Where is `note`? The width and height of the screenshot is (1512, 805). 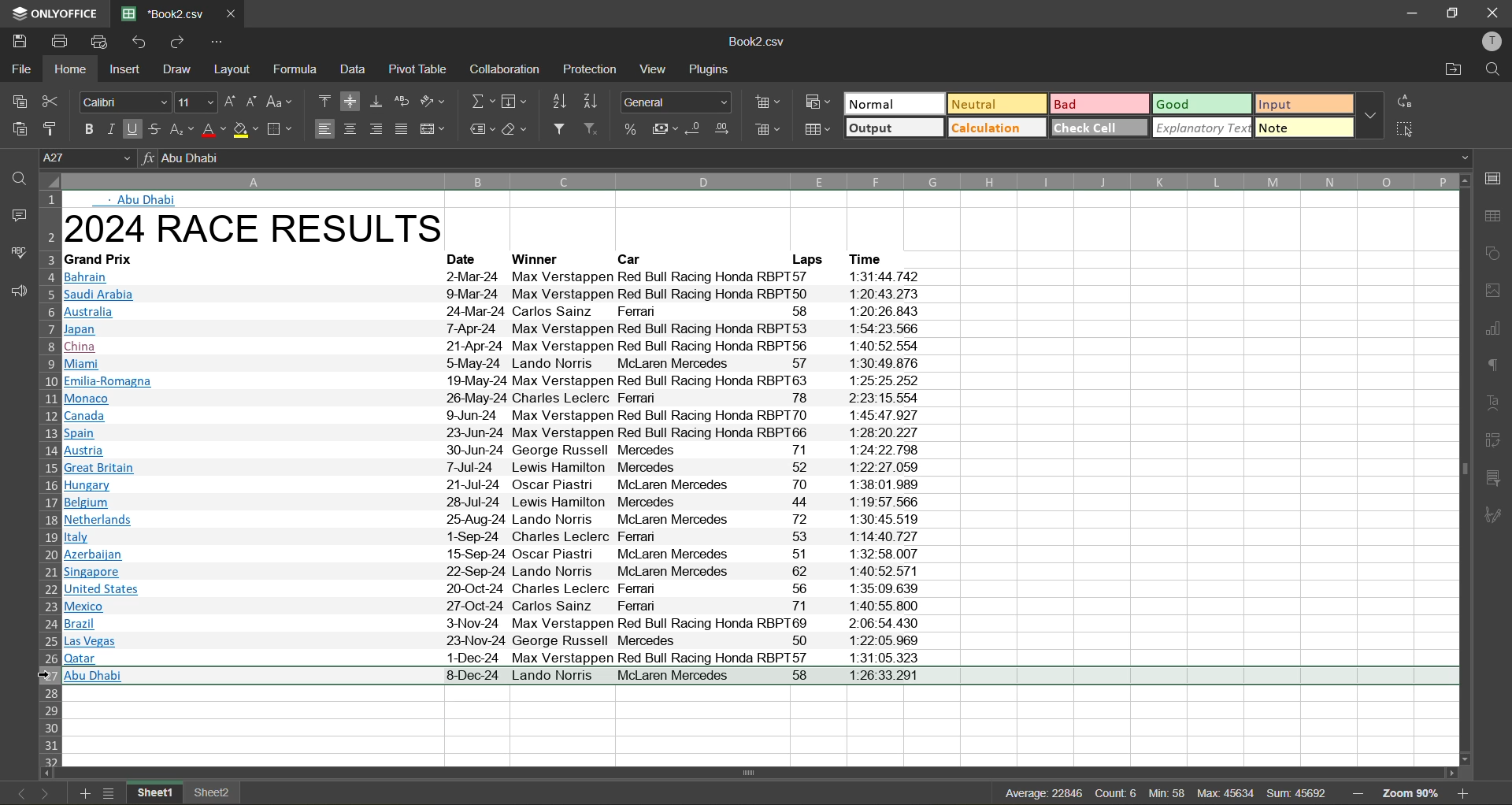 note is located at coordinates (1304, 128).